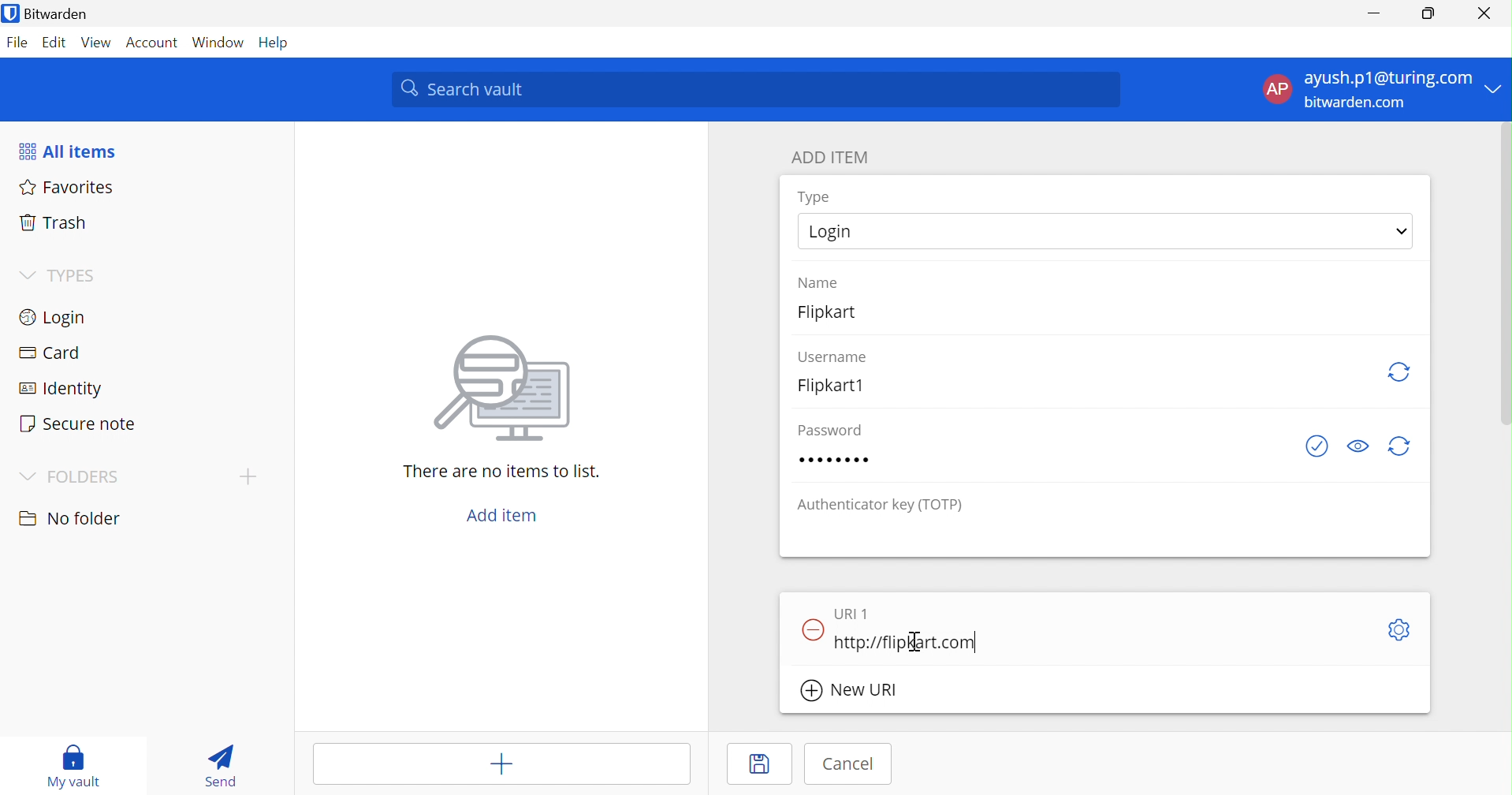 The height and width of the screenshot is (795, 1512). Describe the element at coordinates (837, 385) in the screenshot. I see `Flipkart1` at that location.